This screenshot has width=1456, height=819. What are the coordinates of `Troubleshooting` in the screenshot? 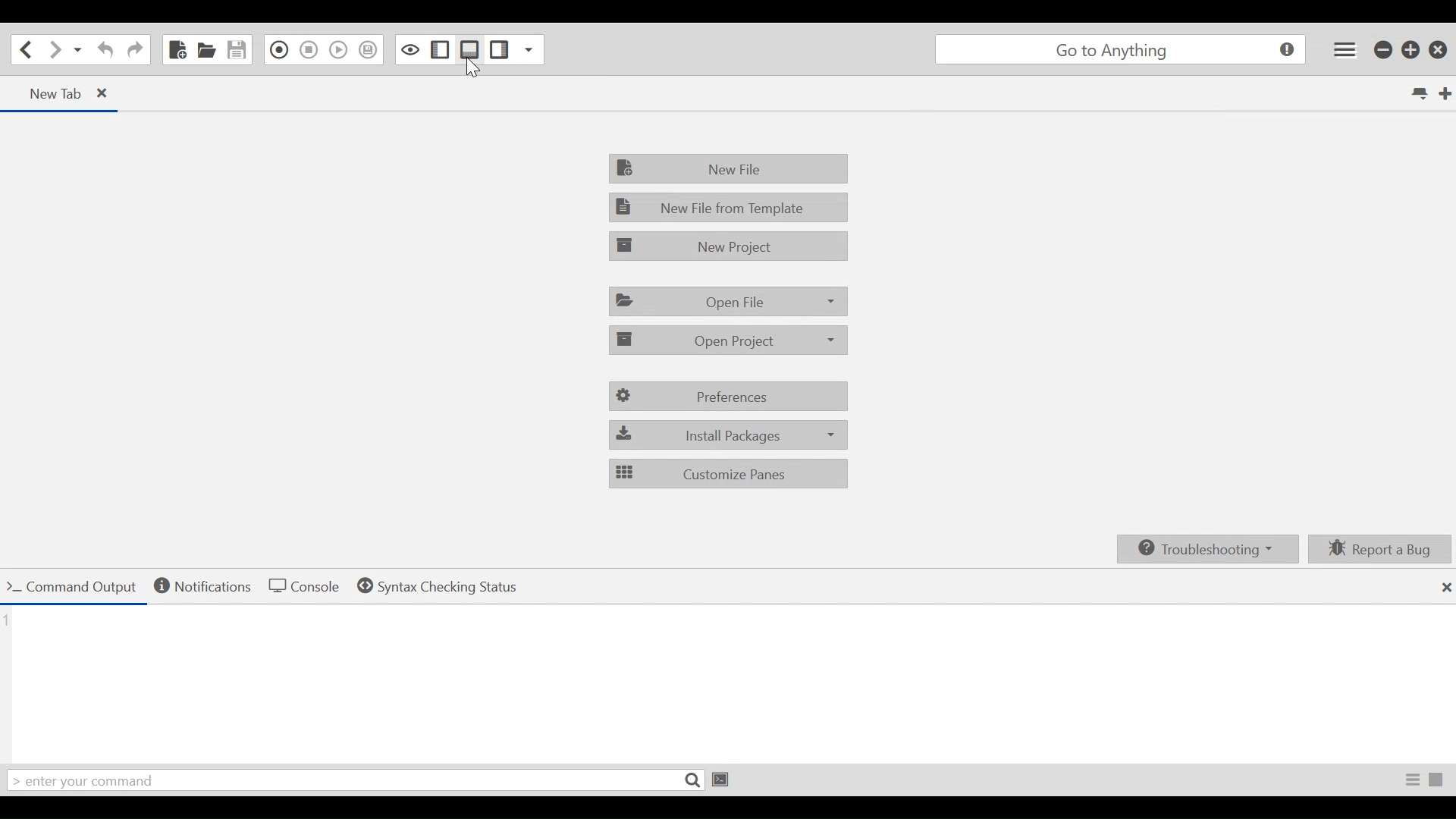 It's located at (1209, 549).